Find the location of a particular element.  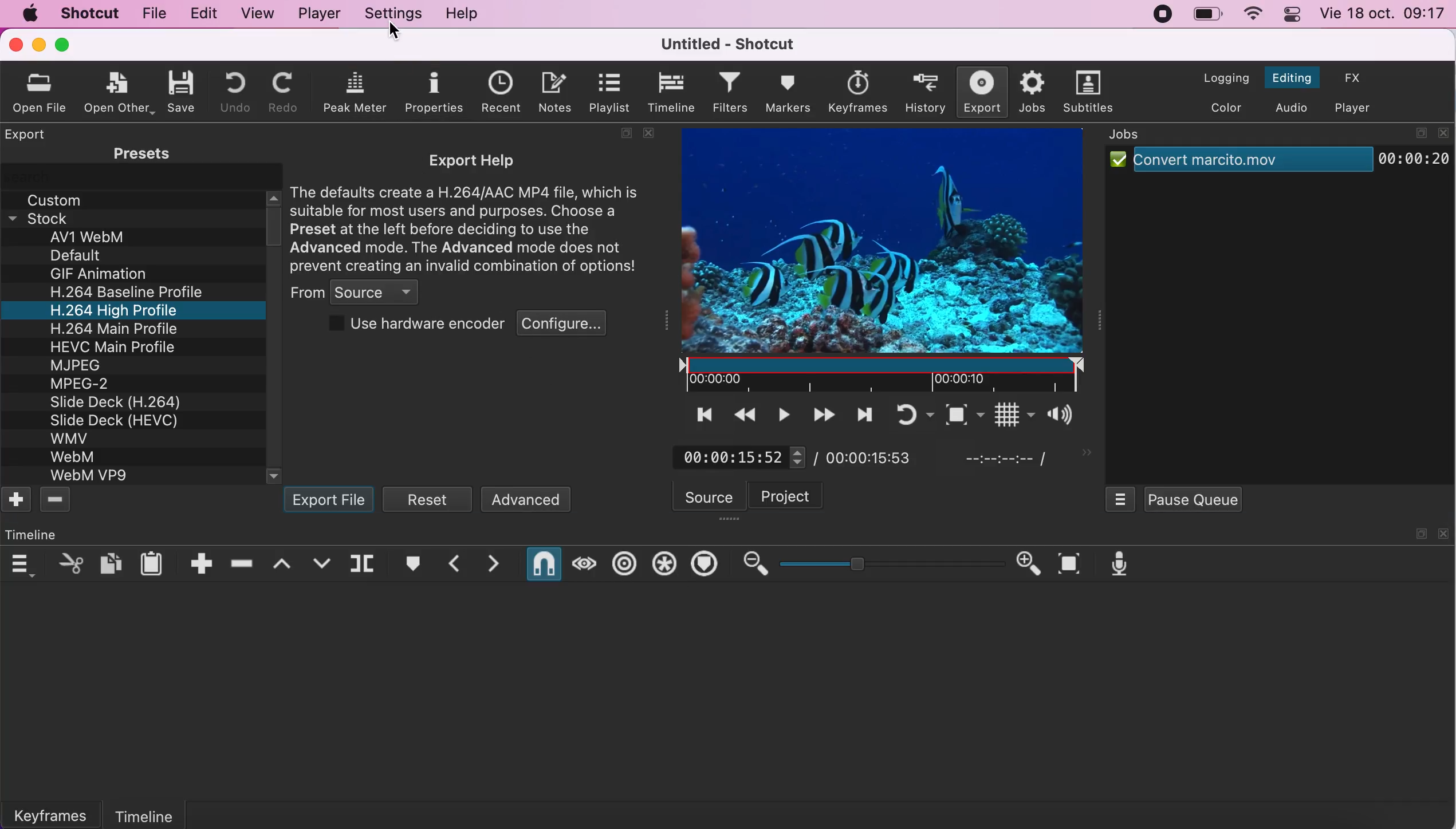

maximize is located at coordinates (1419, 534).